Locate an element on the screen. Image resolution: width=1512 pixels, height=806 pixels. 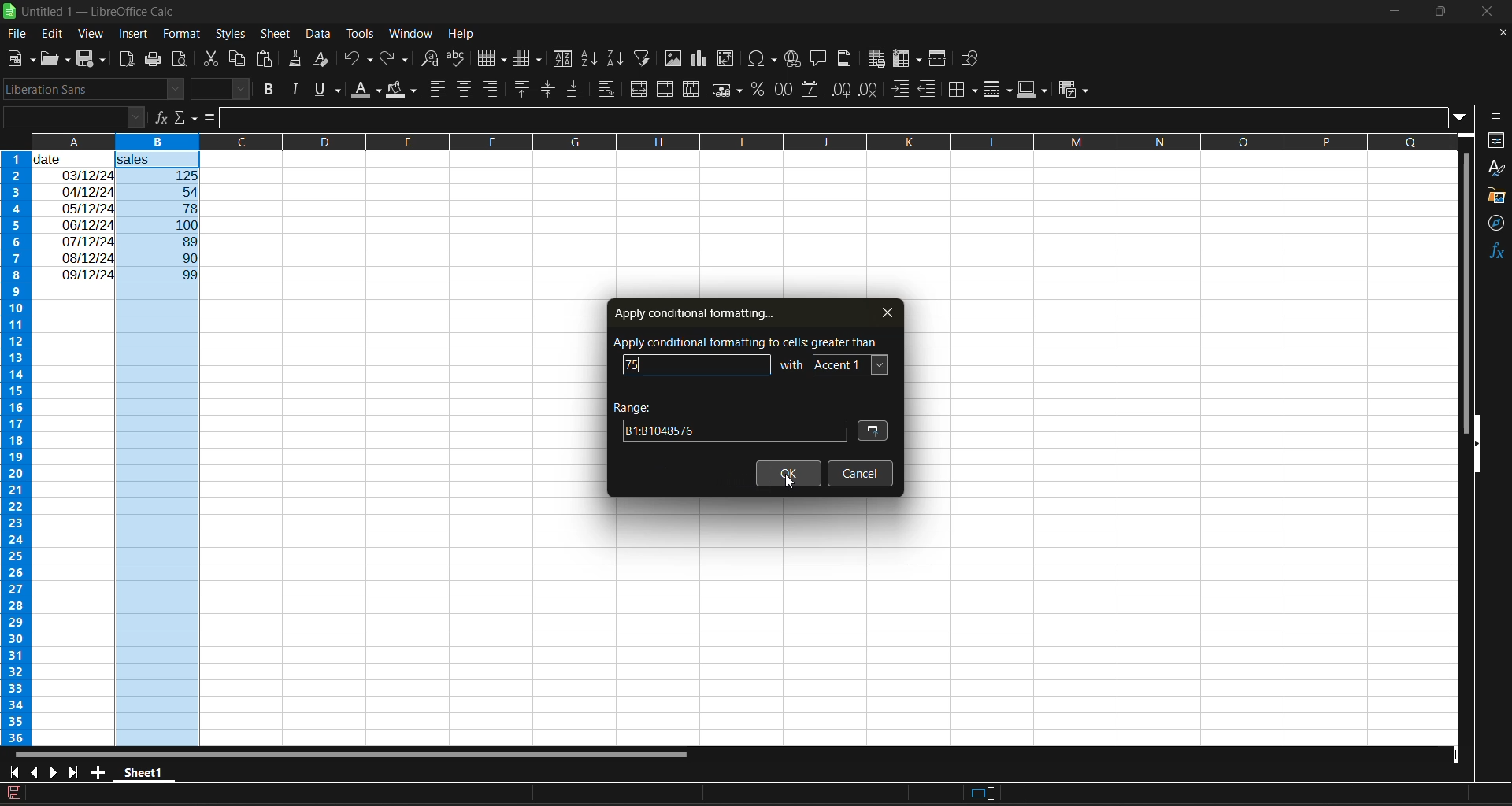
decrease indent is located at coordinates (930, 90).